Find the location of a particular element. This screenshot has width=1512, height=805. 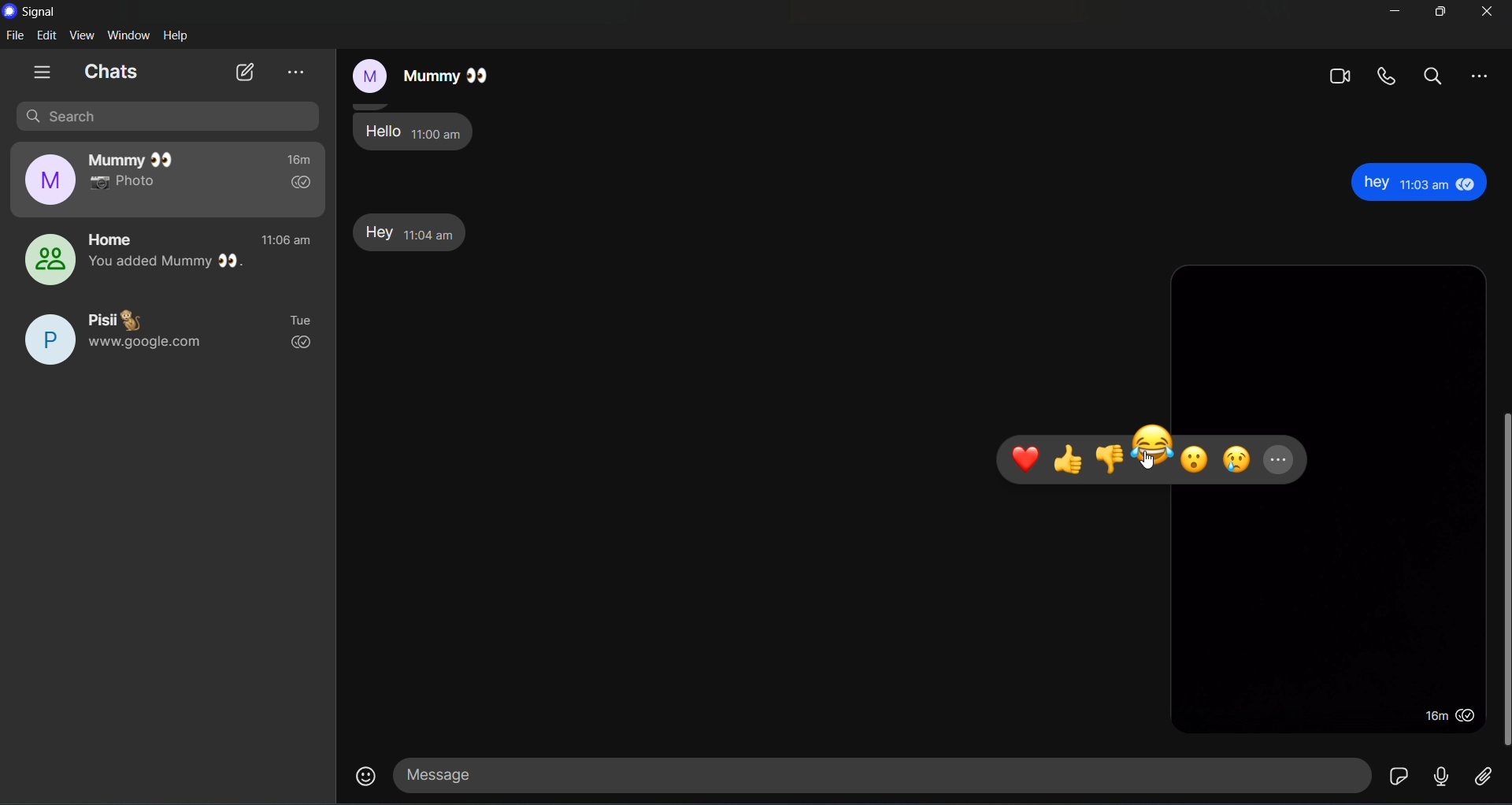

help is located at coordinates (178, 36).